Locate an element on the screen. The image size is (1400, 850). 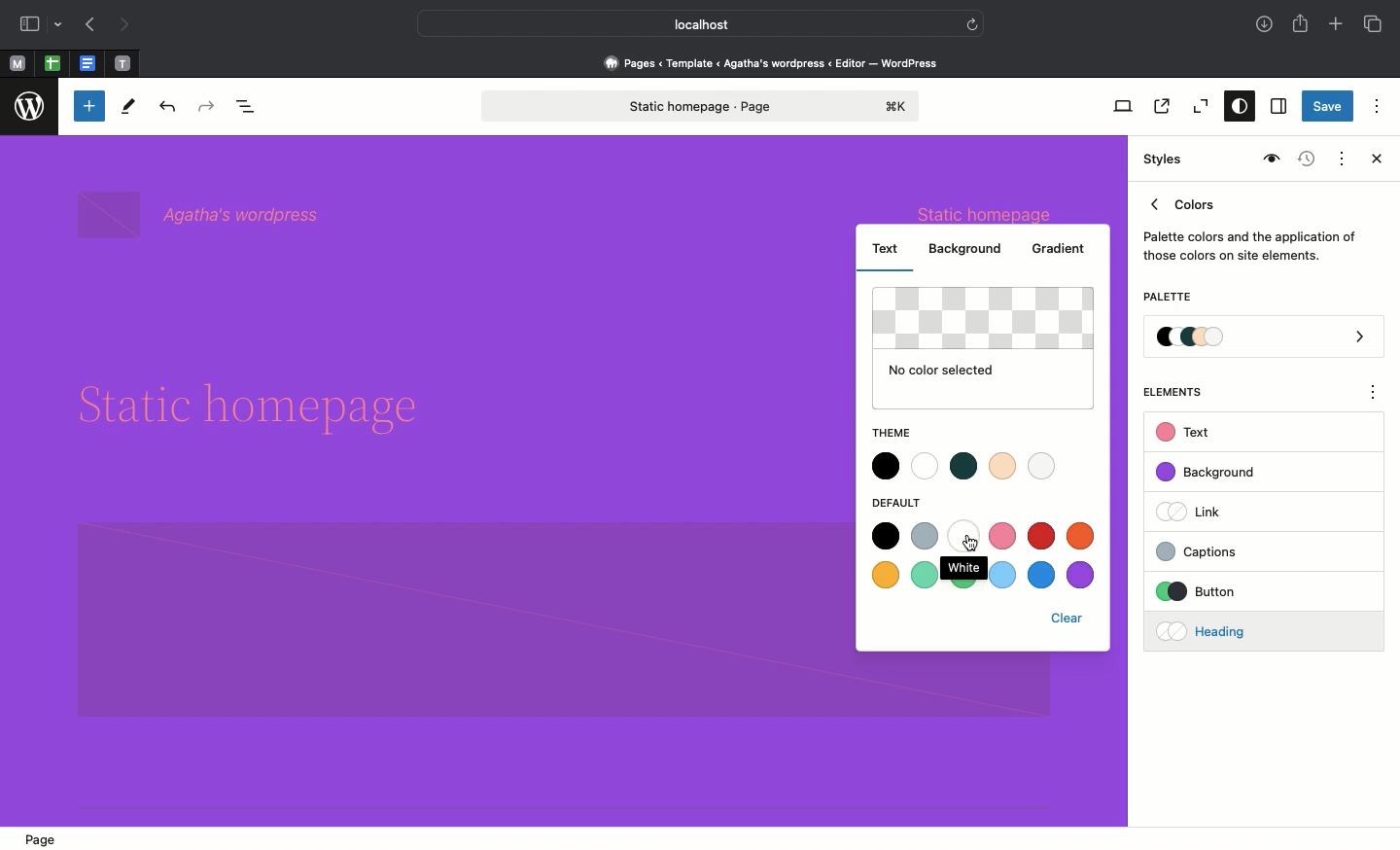
Toggle blocker is located at coordinates (89, 106).